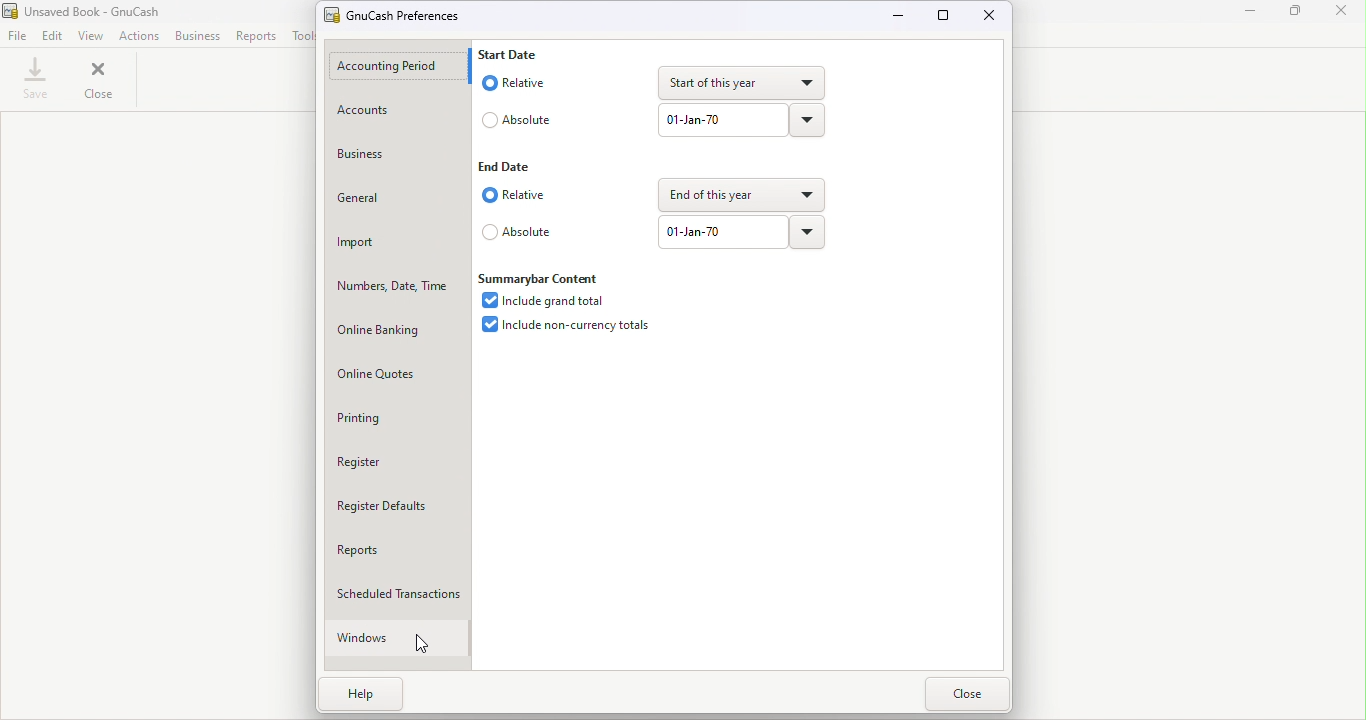 The height and width of the screenshot is (720, 1366). Describe the element at coordinates (519, 83) in the screenshot. I see `Relative` at that location.